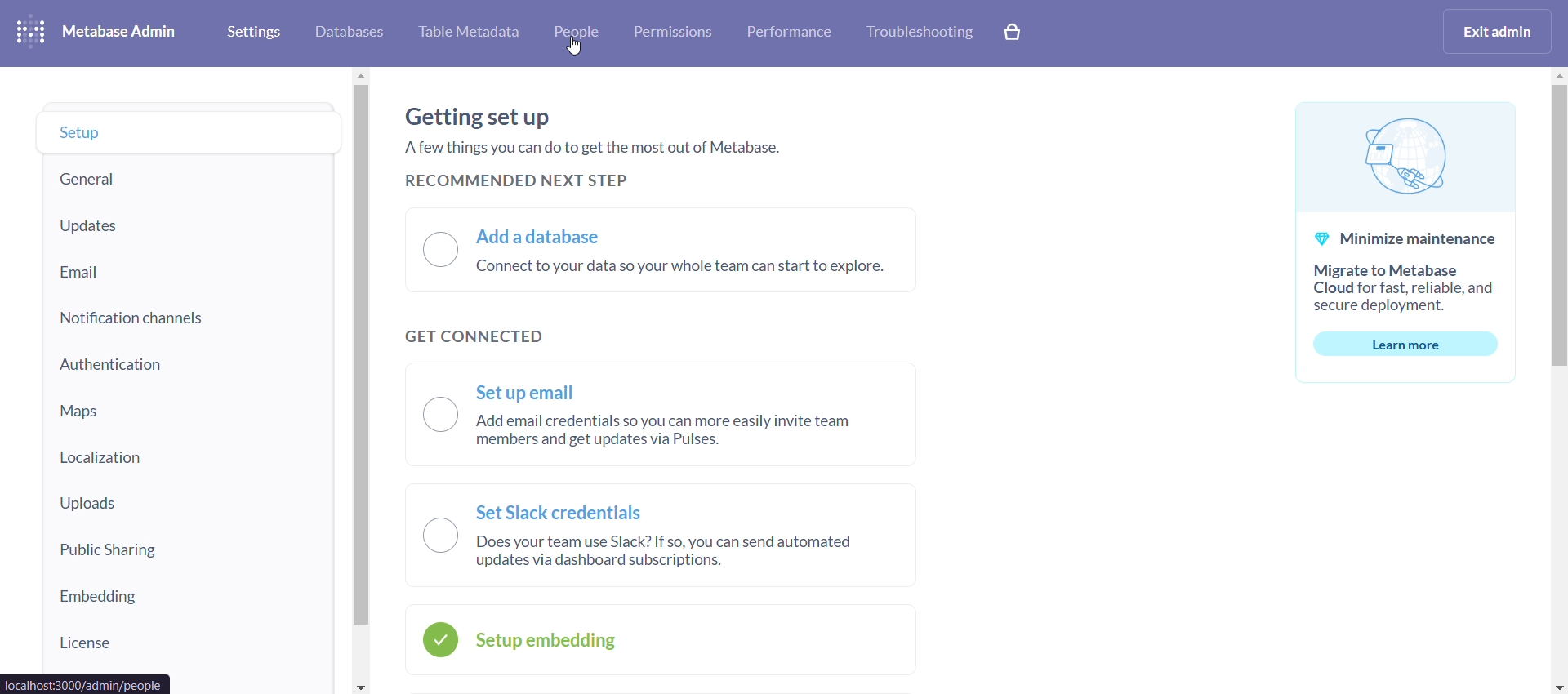  What do you see at coordinates (574, 47) in the screenshot?
I see `cursor` at bounding box center [574, 47].